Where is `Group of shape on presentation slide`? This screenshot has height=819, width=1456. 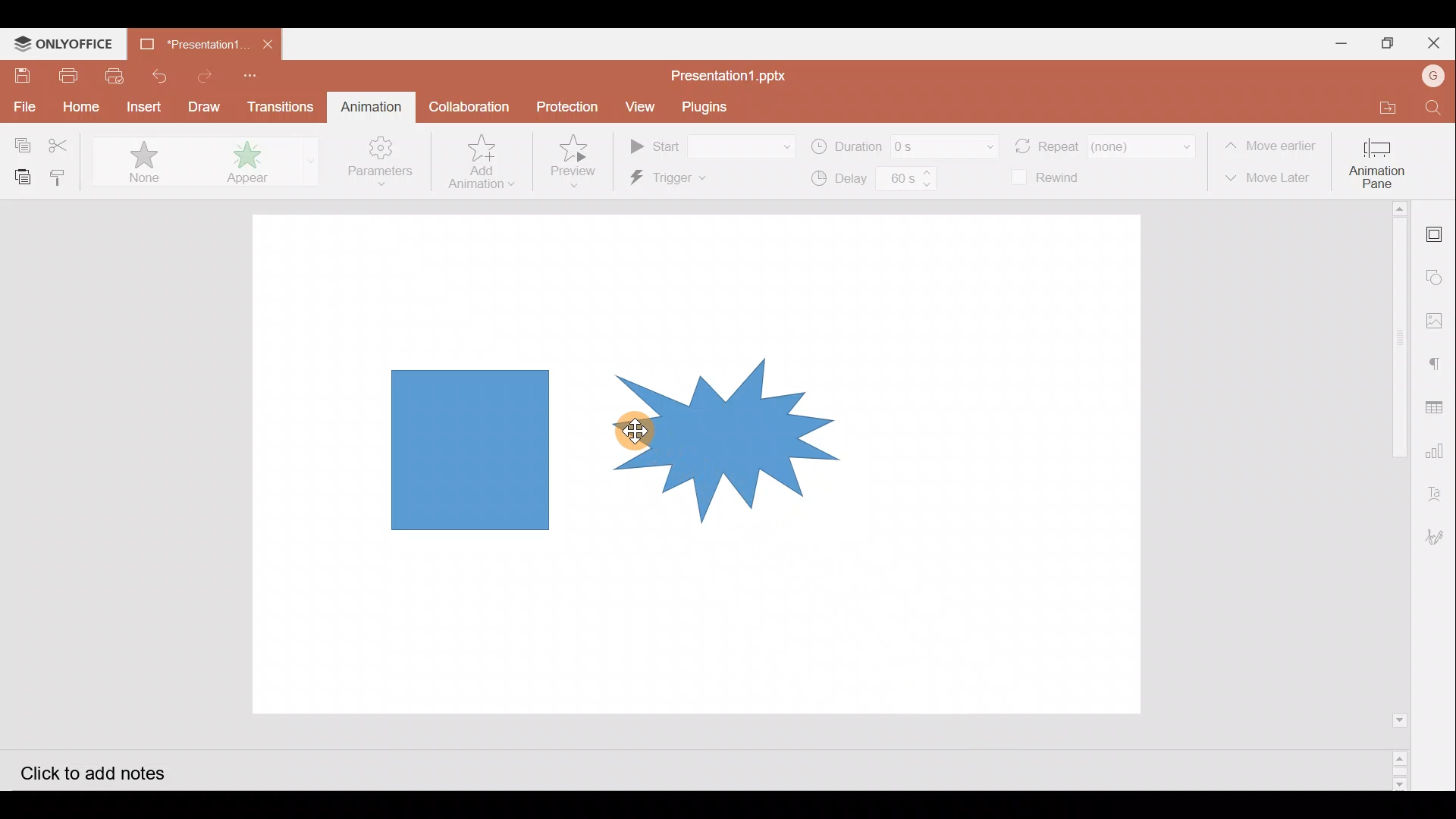
Group of shape on presentation slide is located at coordinates (619, 447).